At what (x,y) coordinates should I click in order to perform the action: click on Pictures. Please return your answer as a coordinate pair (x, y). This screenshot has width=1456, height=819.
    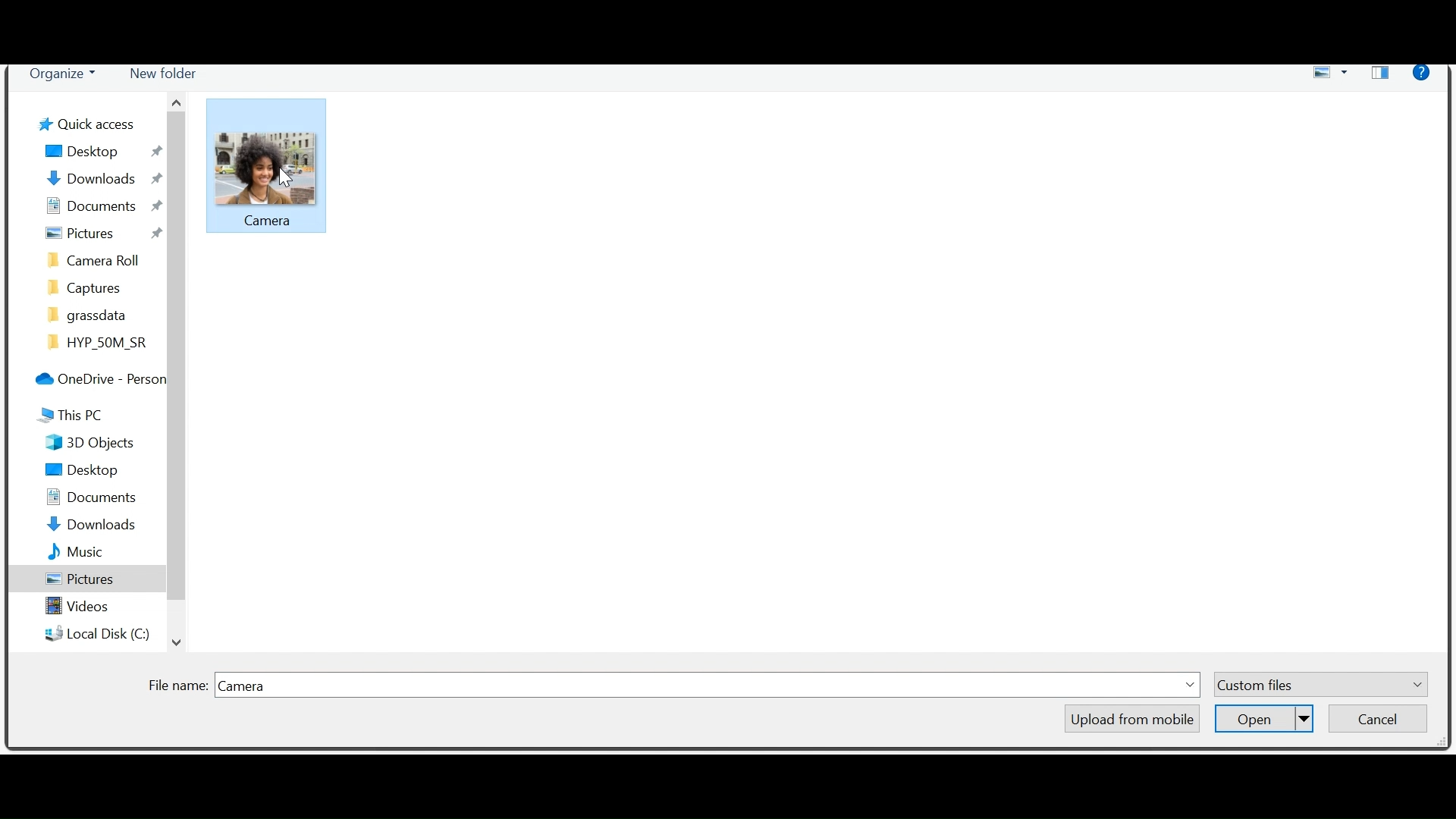
    Looking at the image, I should click on (102, 233).